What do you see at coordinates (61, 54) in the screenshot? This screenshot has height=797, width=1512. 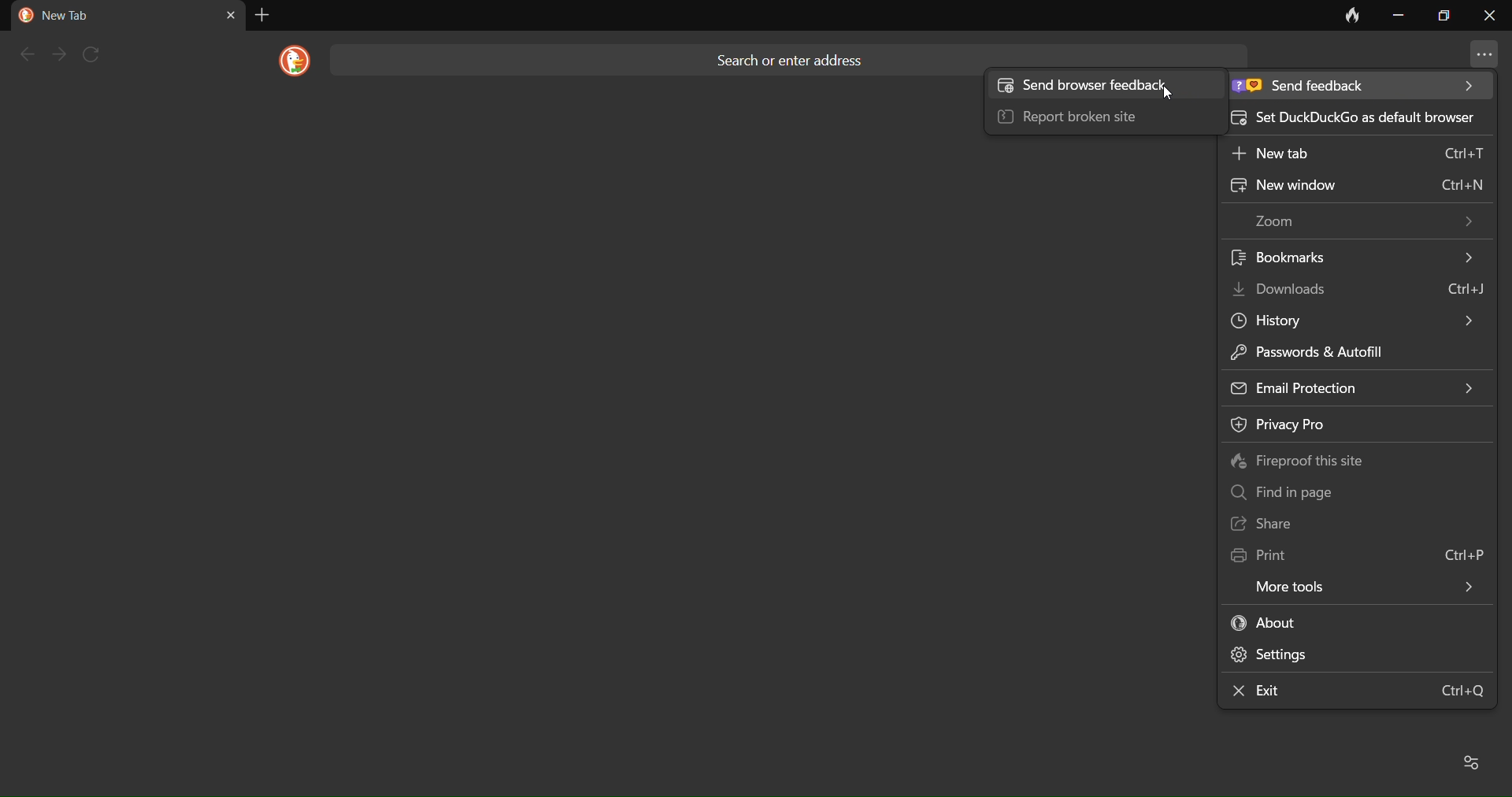 I see `next` at bounding box center [61, 54].